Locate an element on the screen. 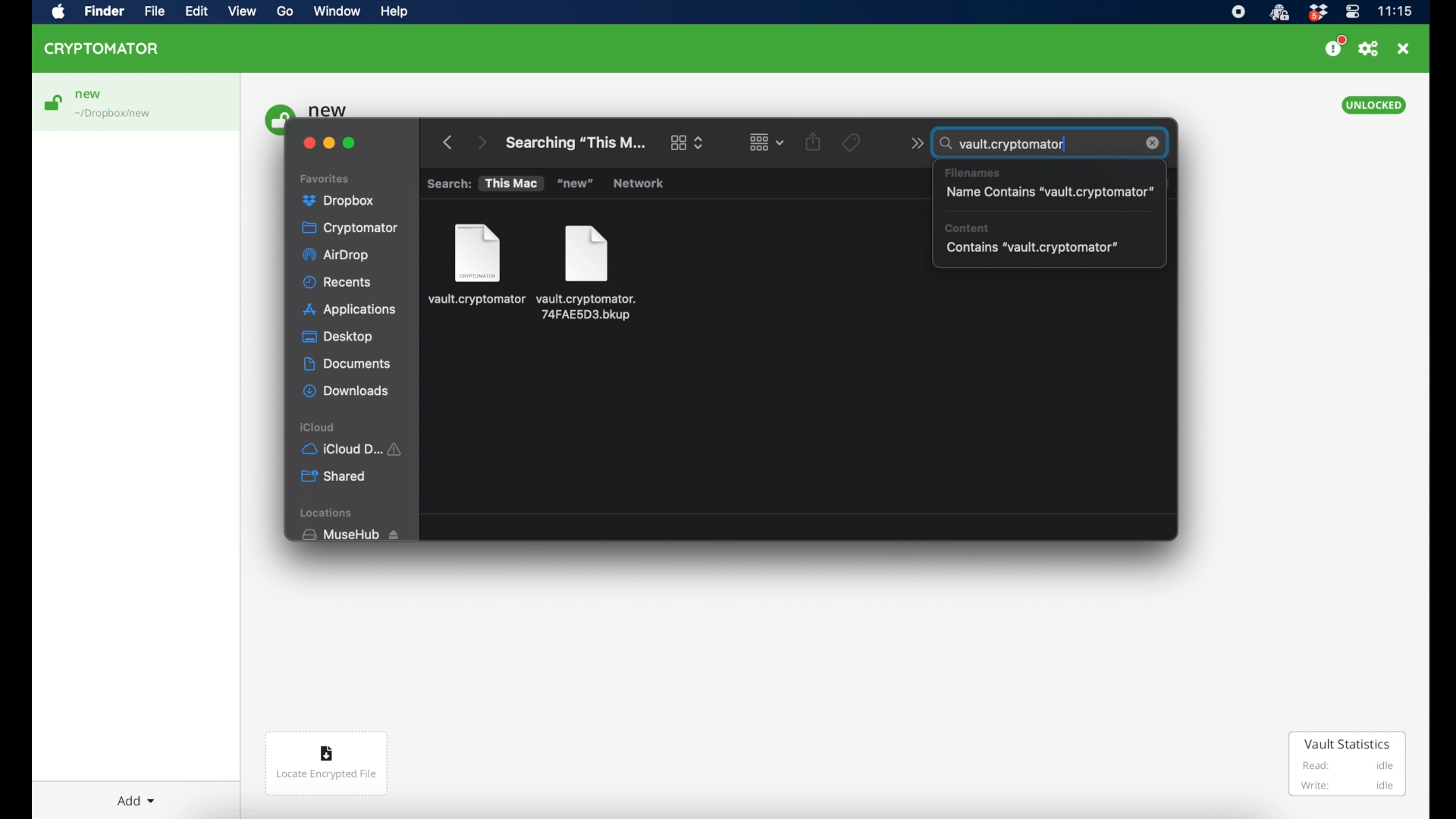 The height and width of the screenshot is (819, 1456). contains "vault.cryptomator" is located at coordinates (1033, 248).